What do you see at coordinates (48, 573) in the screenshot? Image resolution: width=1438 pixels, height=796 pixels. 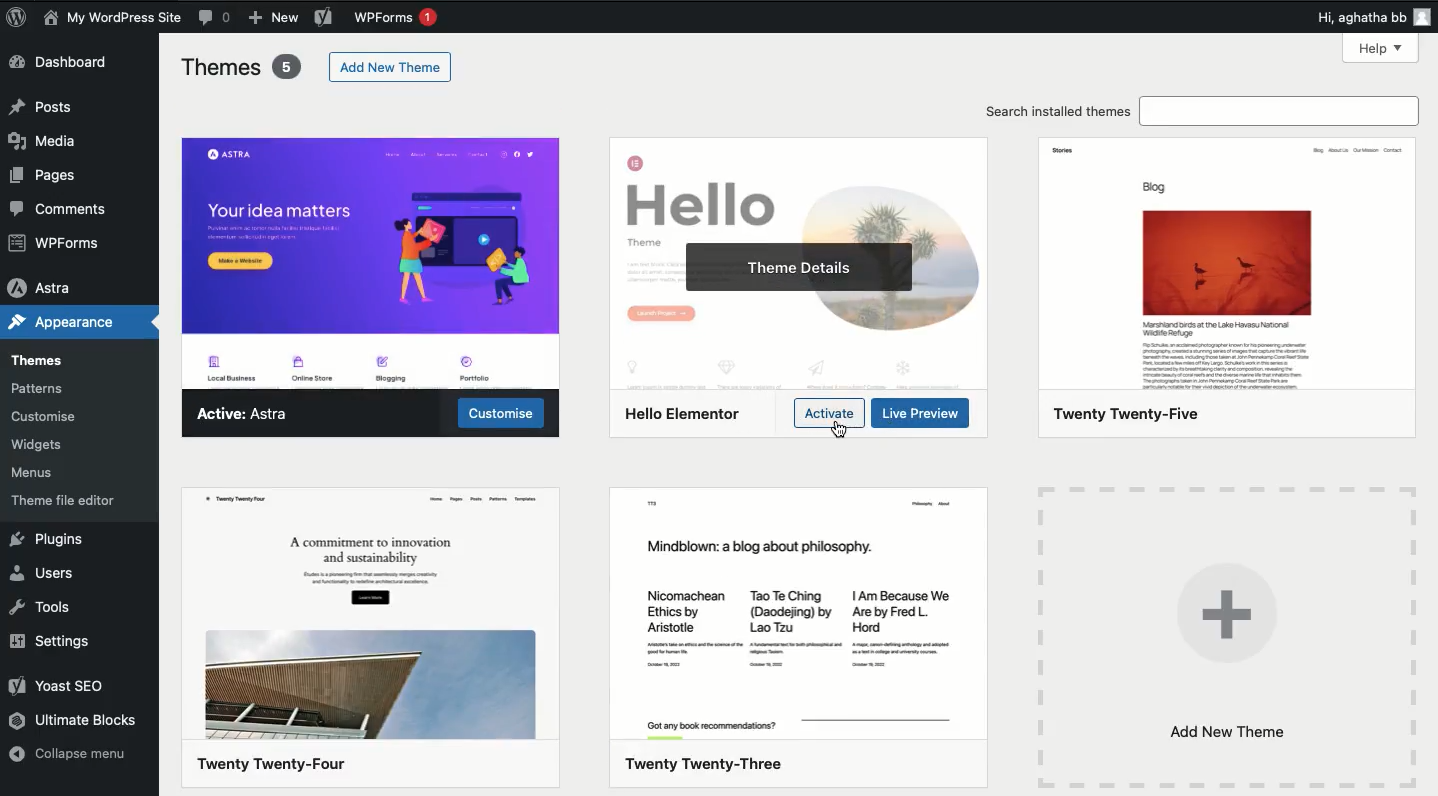 I see `Users` at bounding box center [48, 573].